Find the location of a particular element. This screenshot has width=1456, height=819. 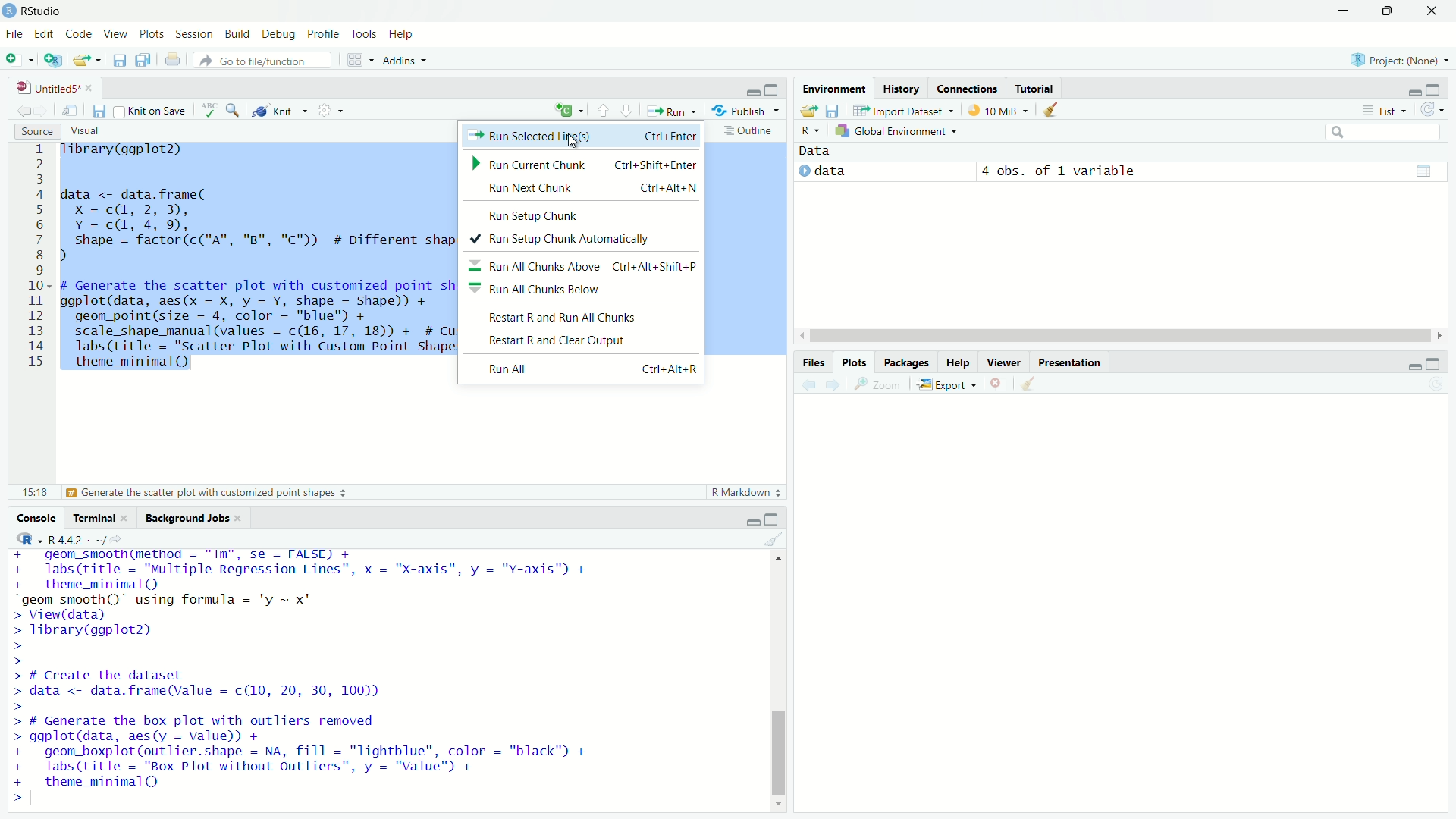

Viewer is located at coordinates (1004, 362).